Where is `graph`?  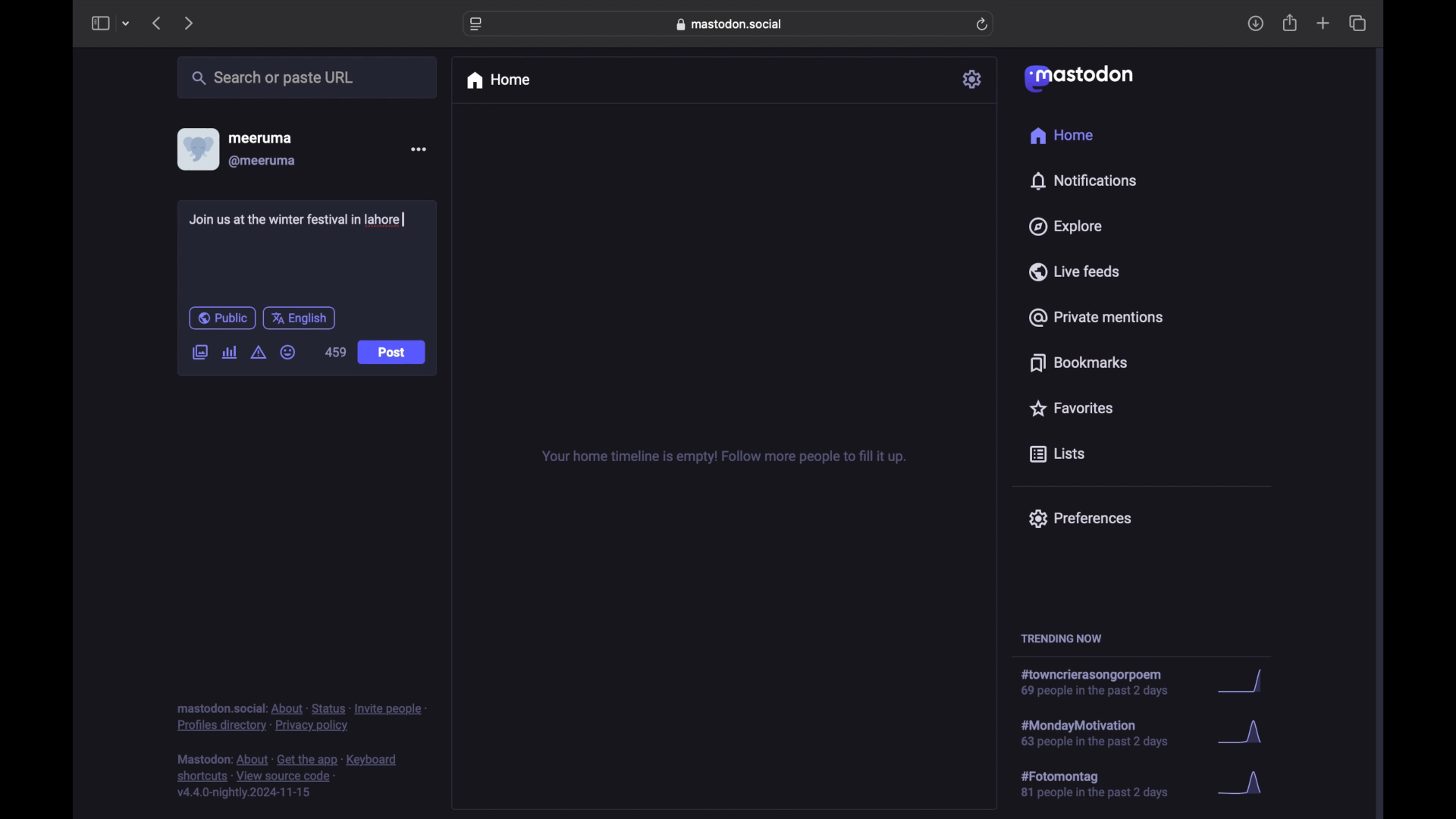 graph is located at coordinates (1244, 682).